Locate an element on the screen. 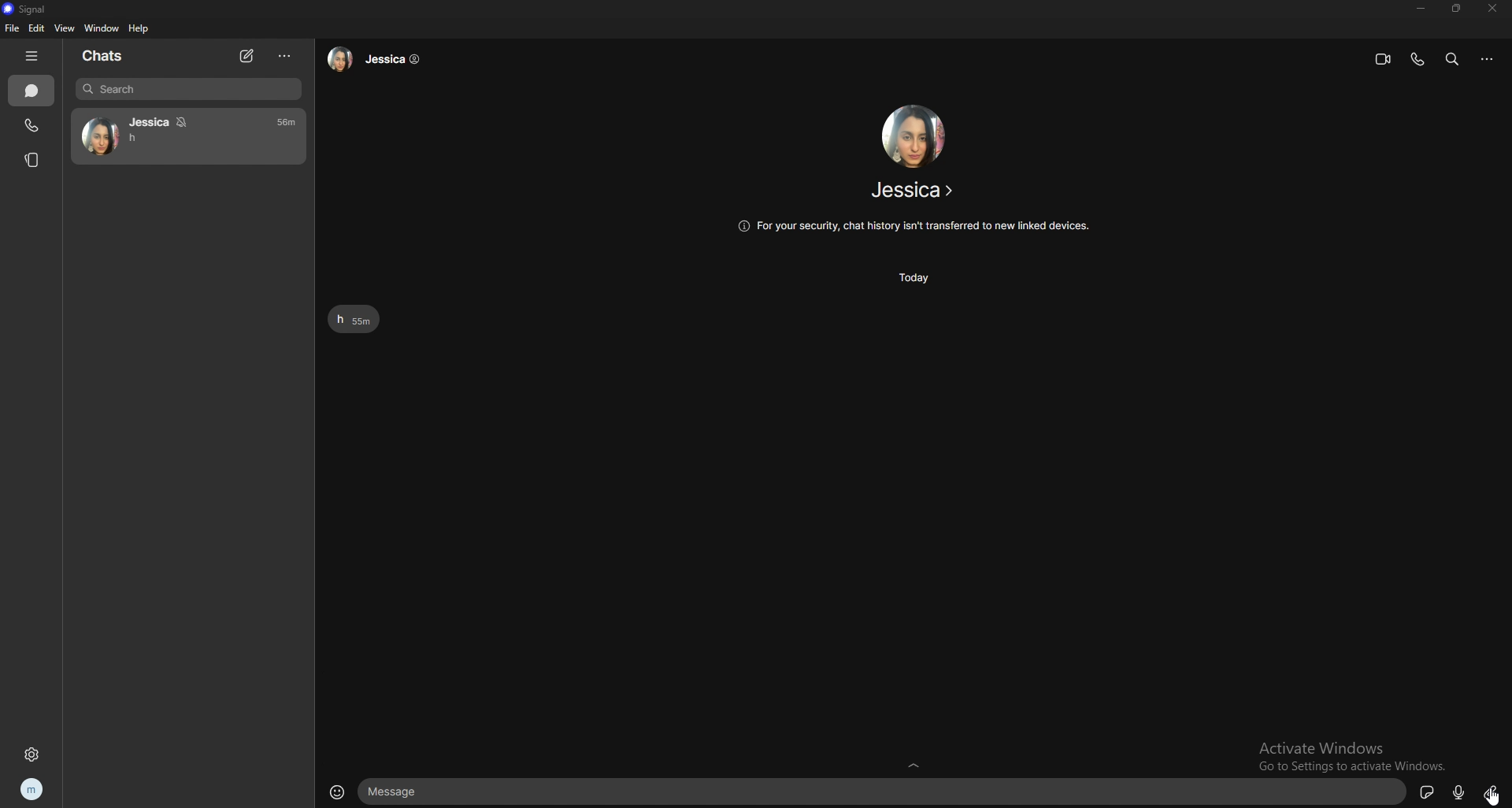  window is located at coordinates (102, 28).